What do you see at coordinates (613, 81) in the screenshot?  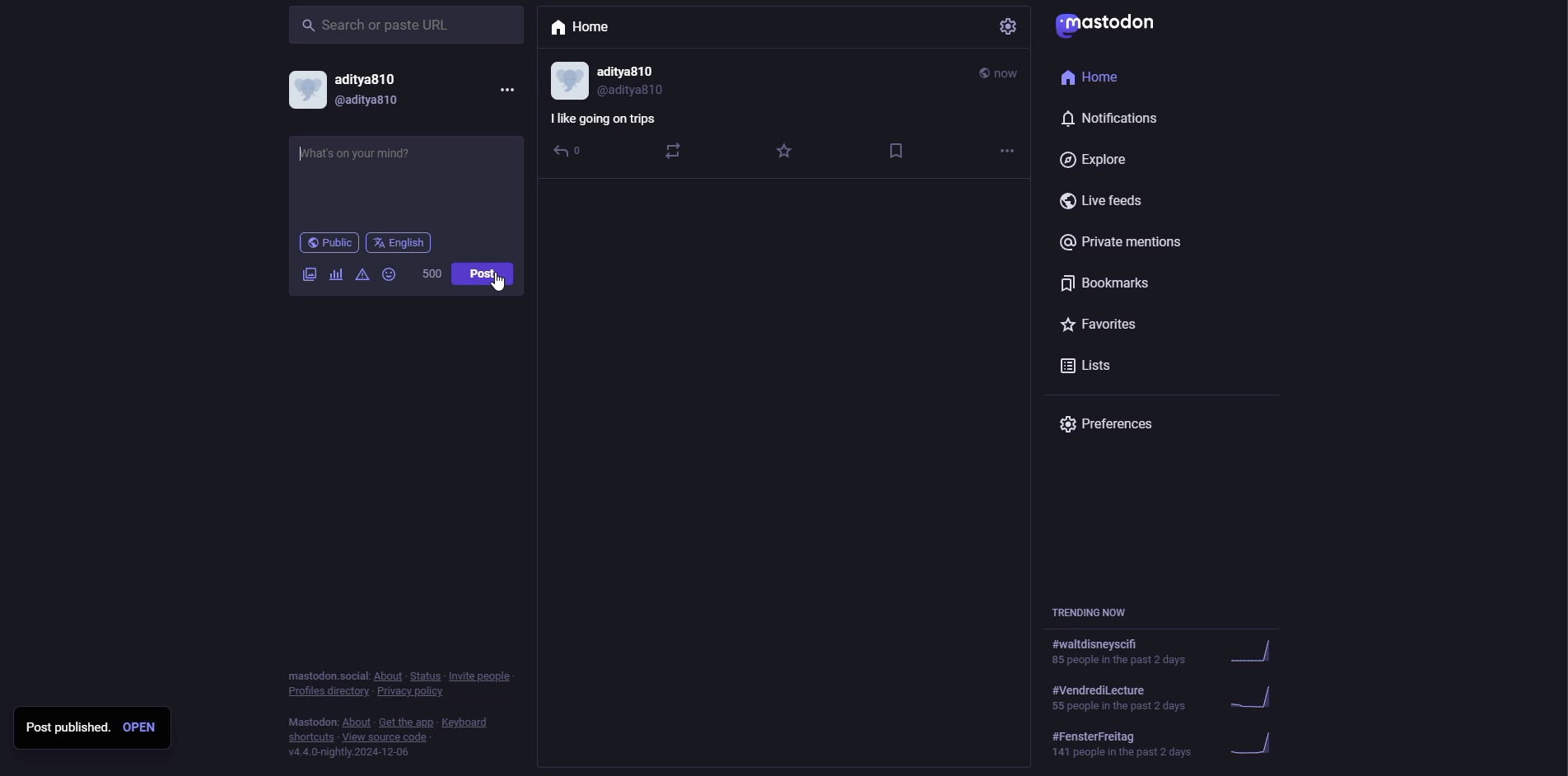 I see `id` at bounding box center [613, 81].